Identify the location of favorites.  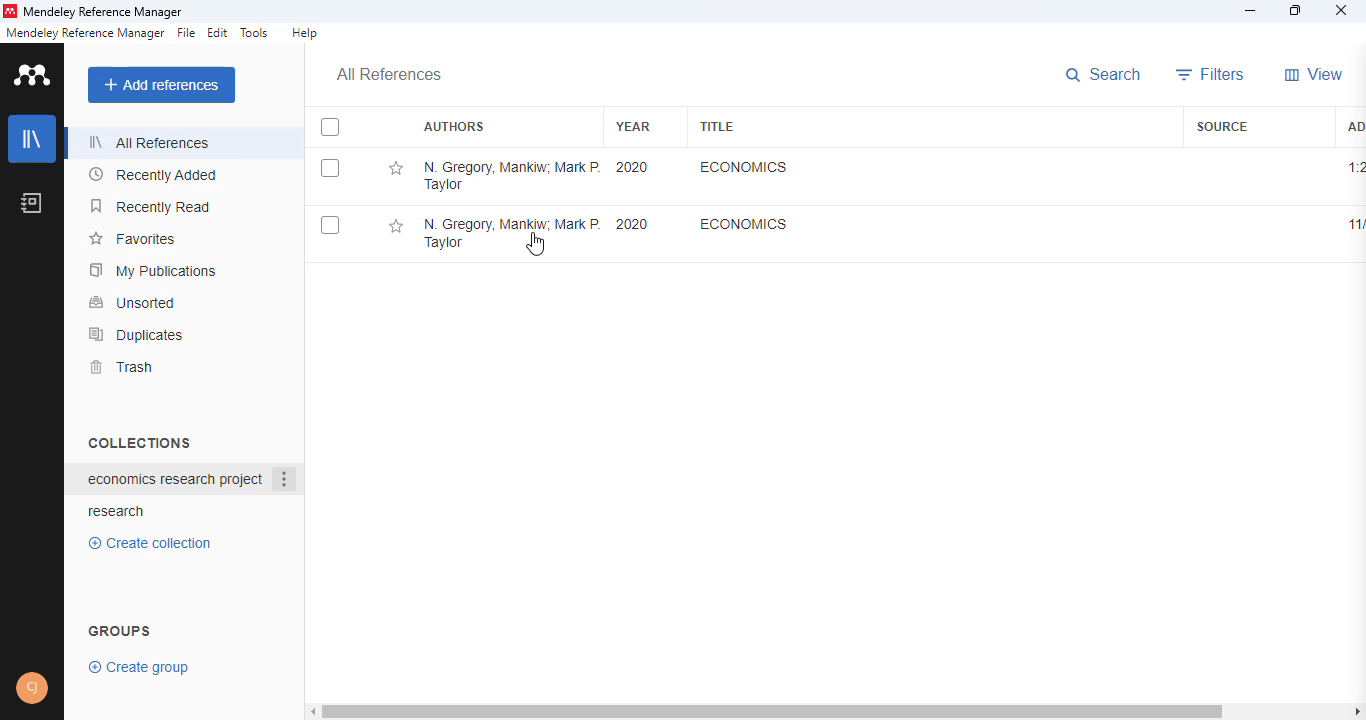
(131, 239).